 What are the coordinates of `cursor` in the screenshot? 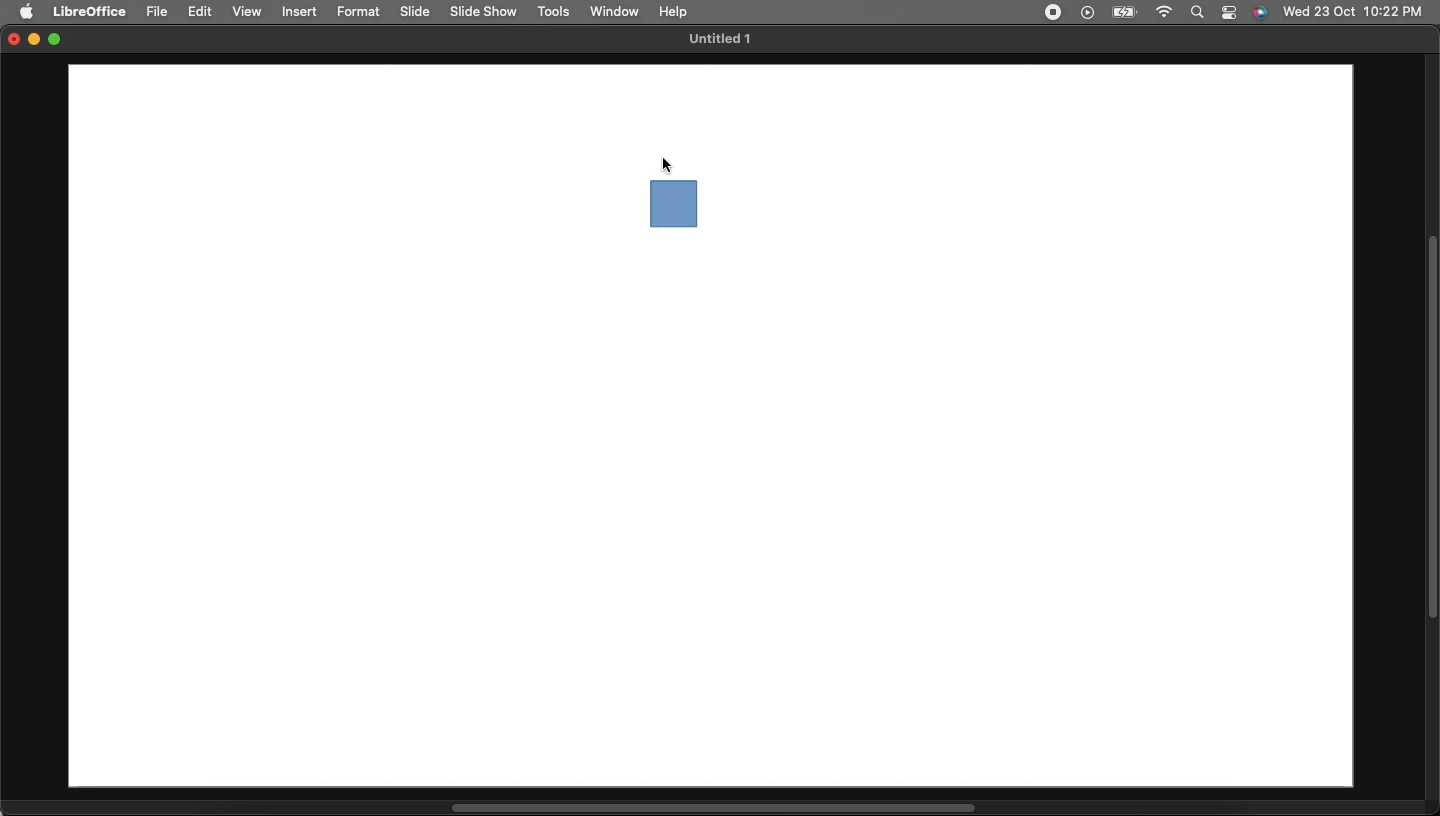 It's located at (666, 165).